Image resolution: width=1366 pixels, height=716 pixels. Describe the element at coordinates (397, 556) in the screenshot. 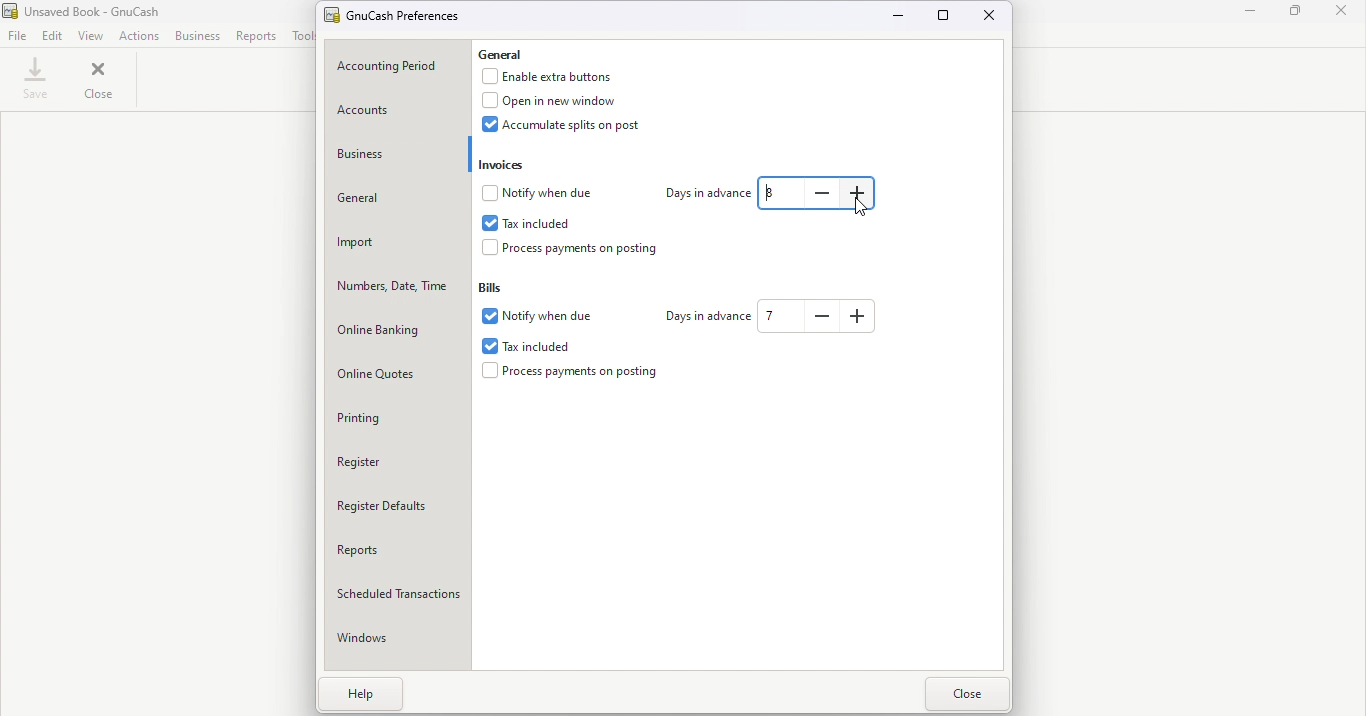

I see `Reports` at that location.